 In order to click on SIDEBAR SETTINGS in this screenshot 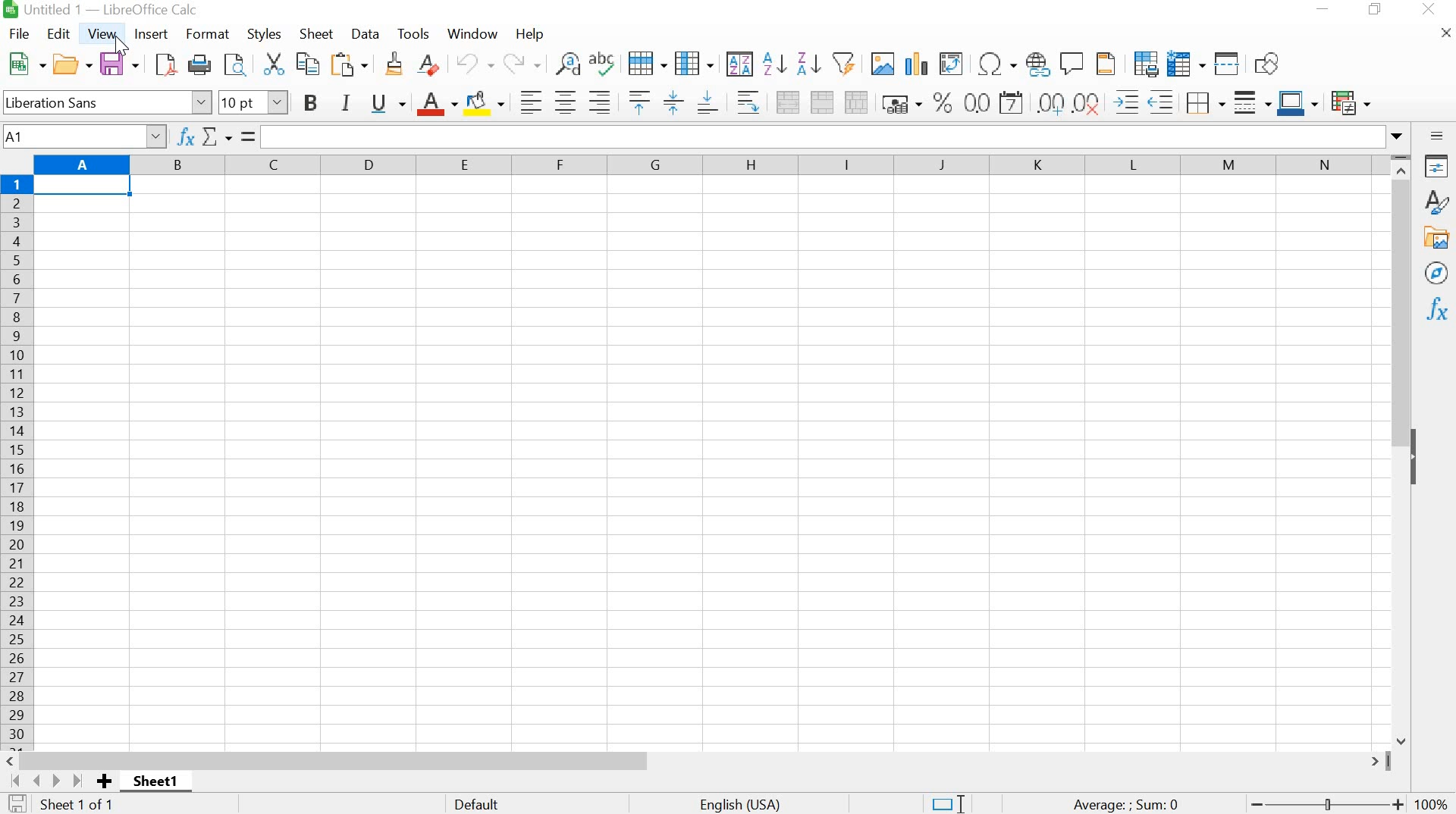, I will do `click(1437, 136)`.